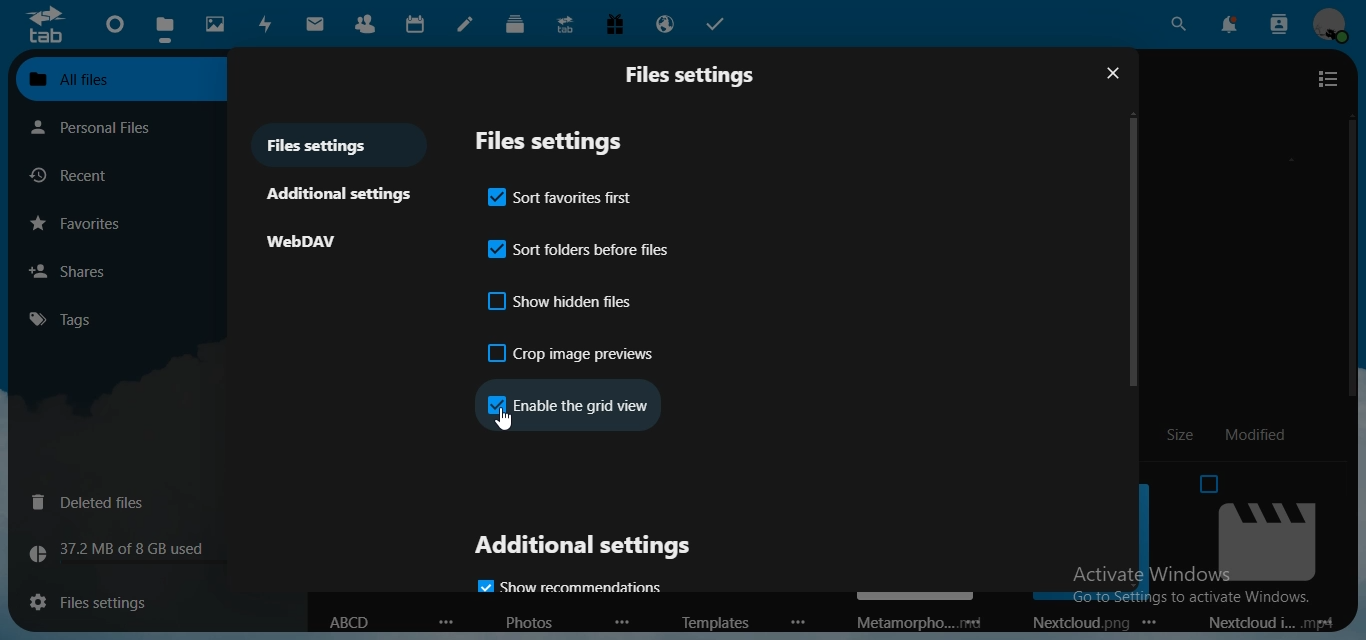 The height and width of the screenshot is (640, 1366). I want to click on search, so click(1176, 22).